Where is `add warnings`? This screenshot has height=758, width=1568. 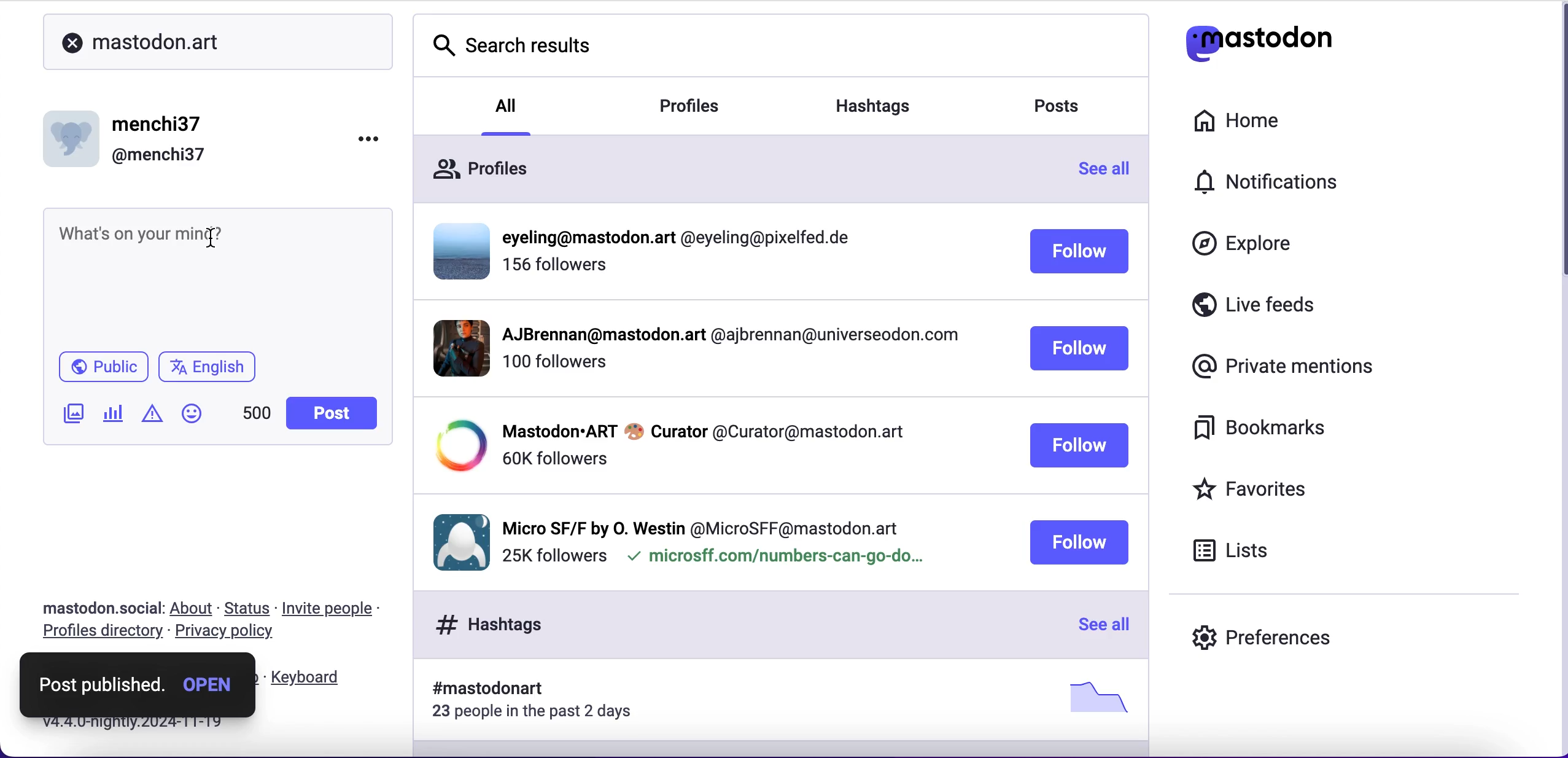 add warnings is located at coordinates (152, 418).